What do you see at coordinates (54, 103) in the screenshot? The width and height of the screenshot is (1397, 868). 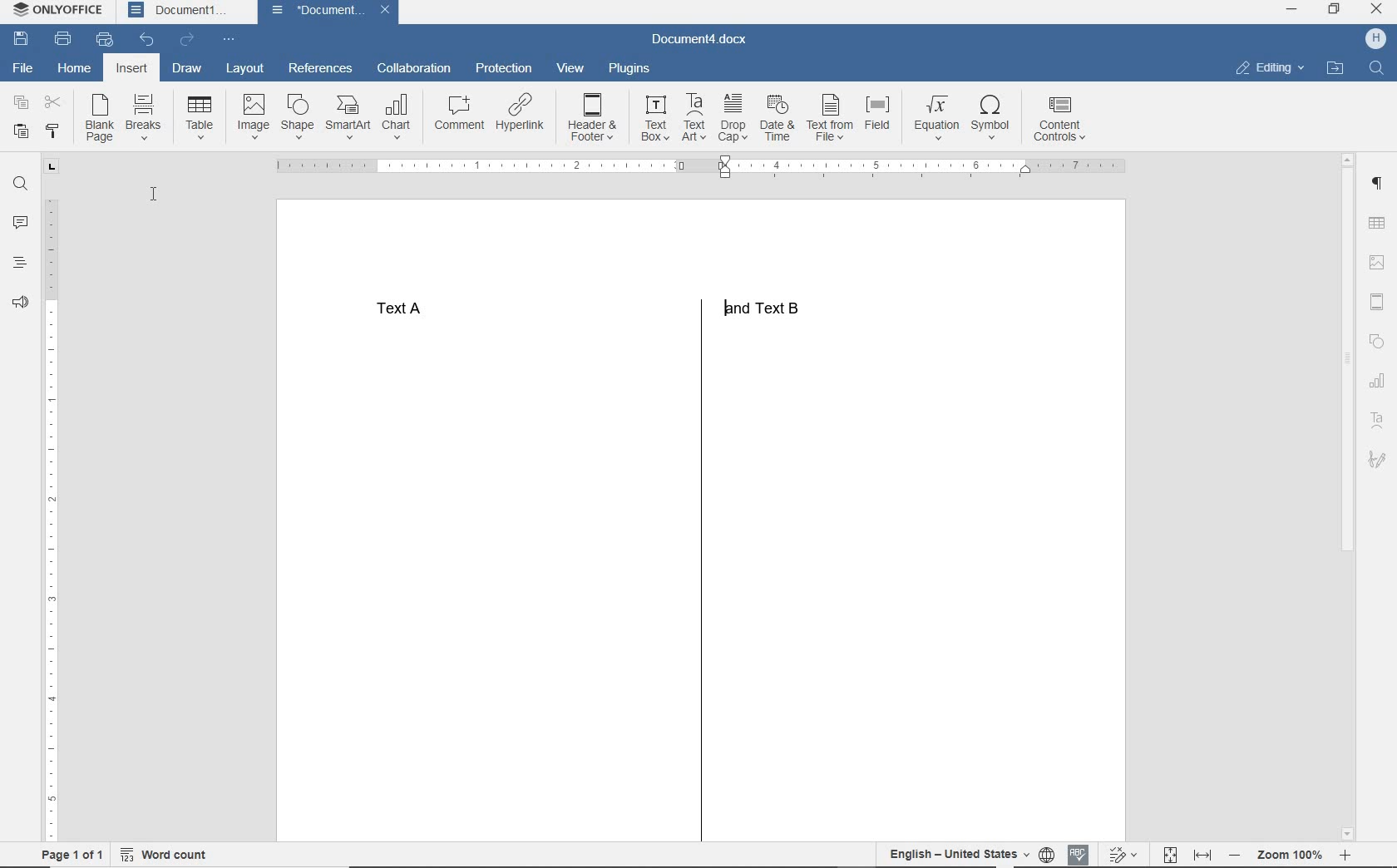 I see `CUT` at bounding box center [54, 103].